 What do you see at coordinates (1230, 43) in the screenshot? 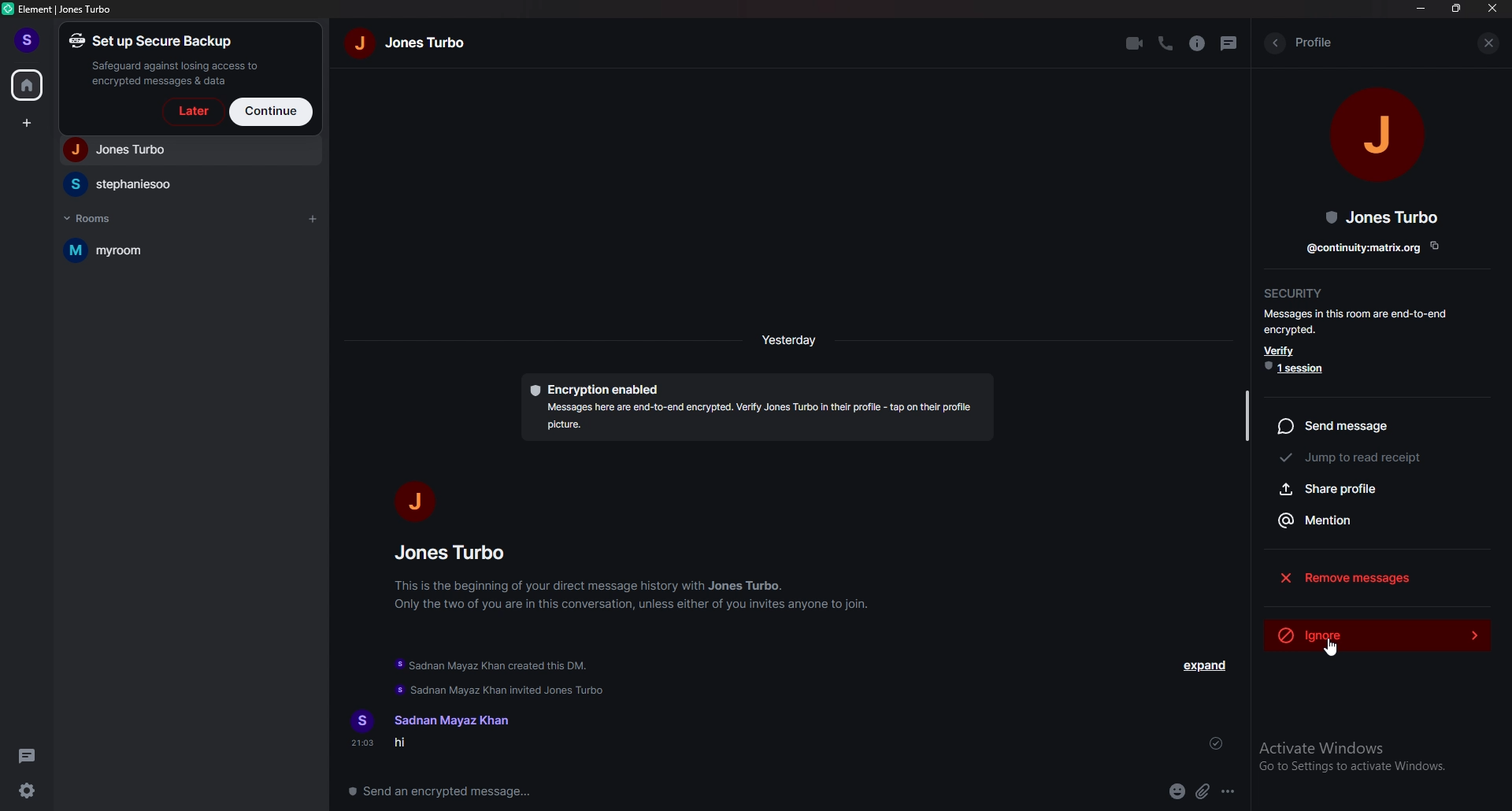
I see `threads` at bounding box center [1230, 43].